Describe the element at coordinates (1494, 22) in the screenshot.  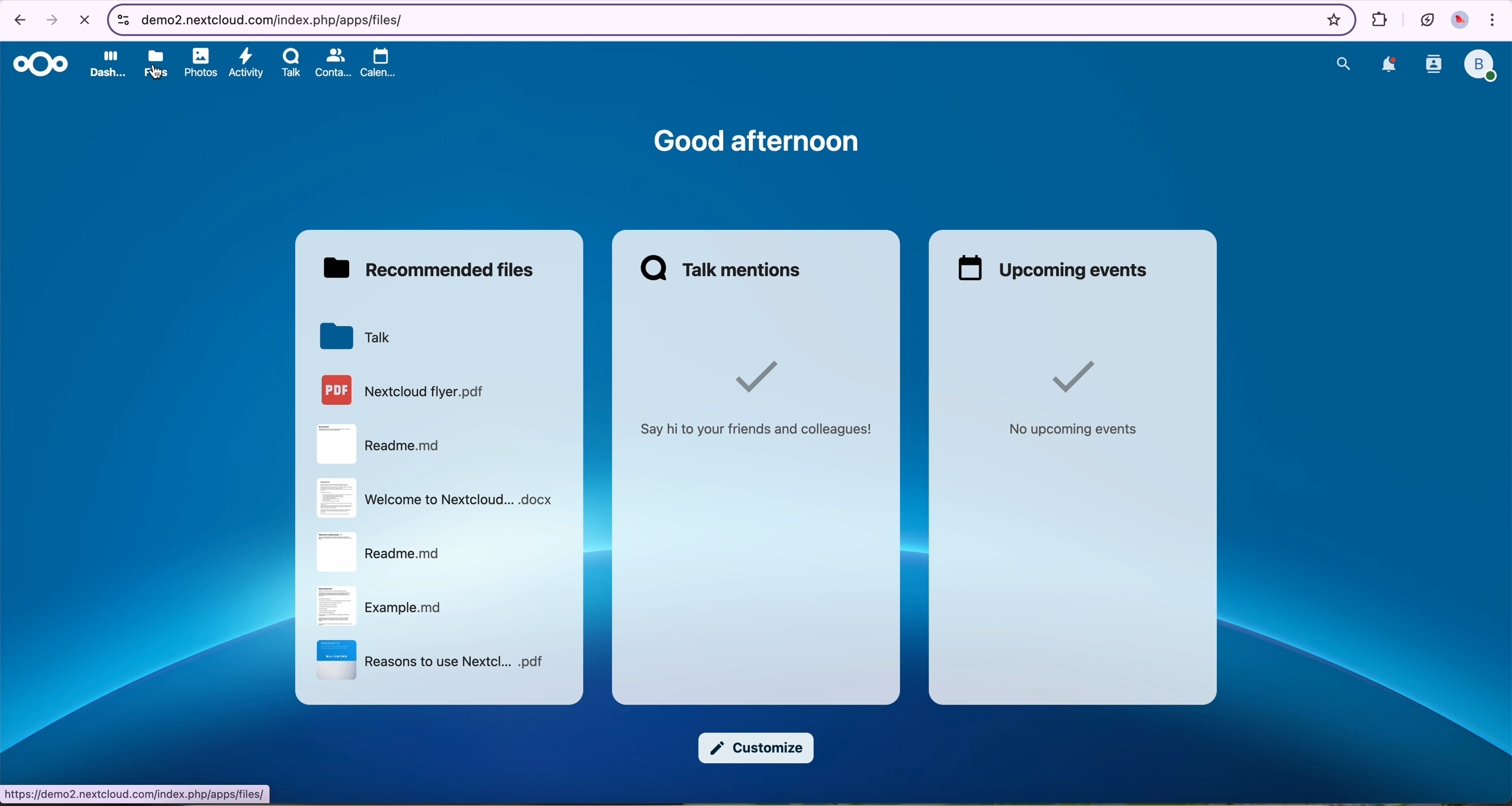
I see `customize and control Google Chrome` at that location.